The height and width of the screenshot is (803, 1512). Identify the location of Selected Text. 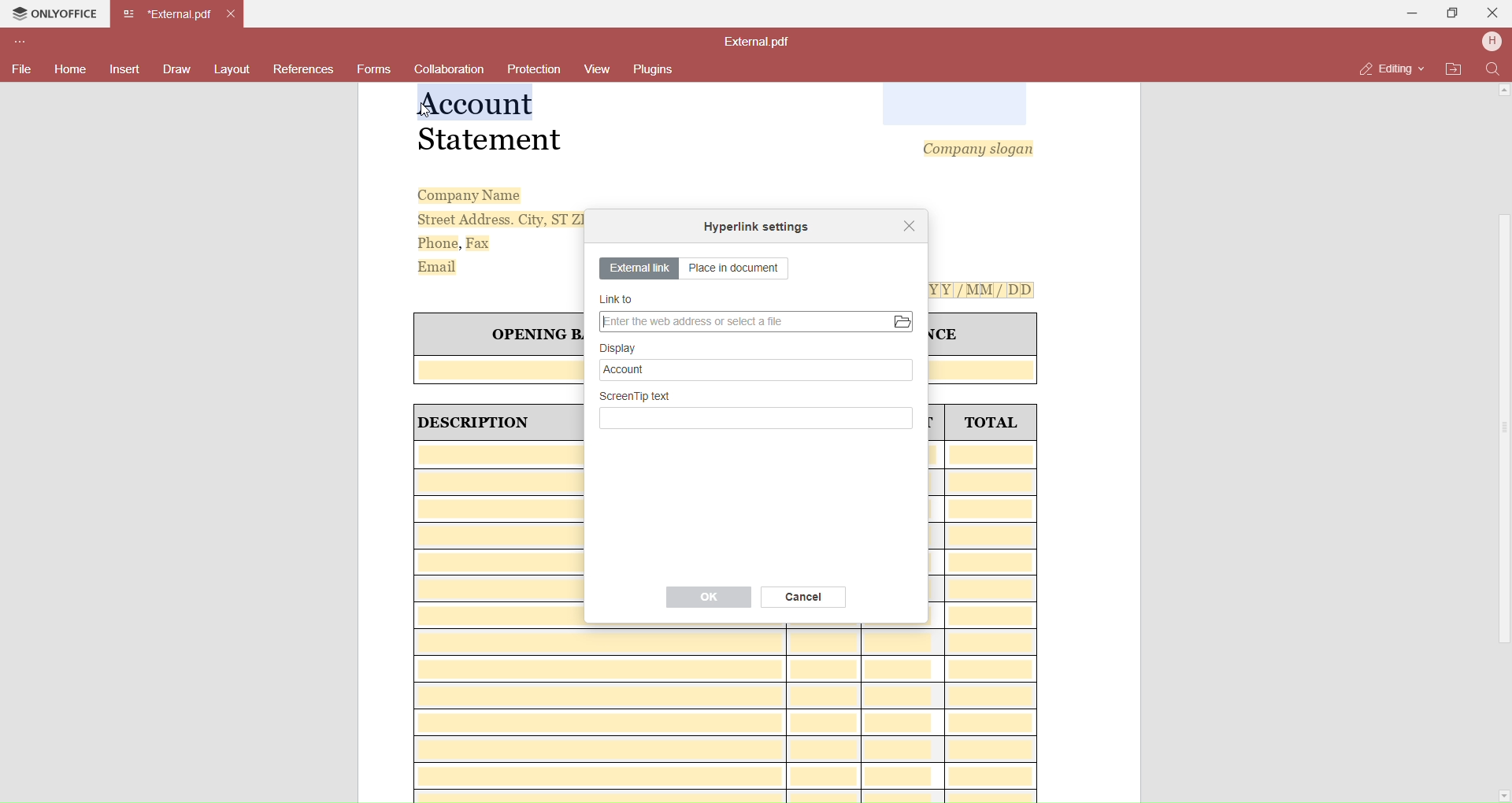
(476, 102).